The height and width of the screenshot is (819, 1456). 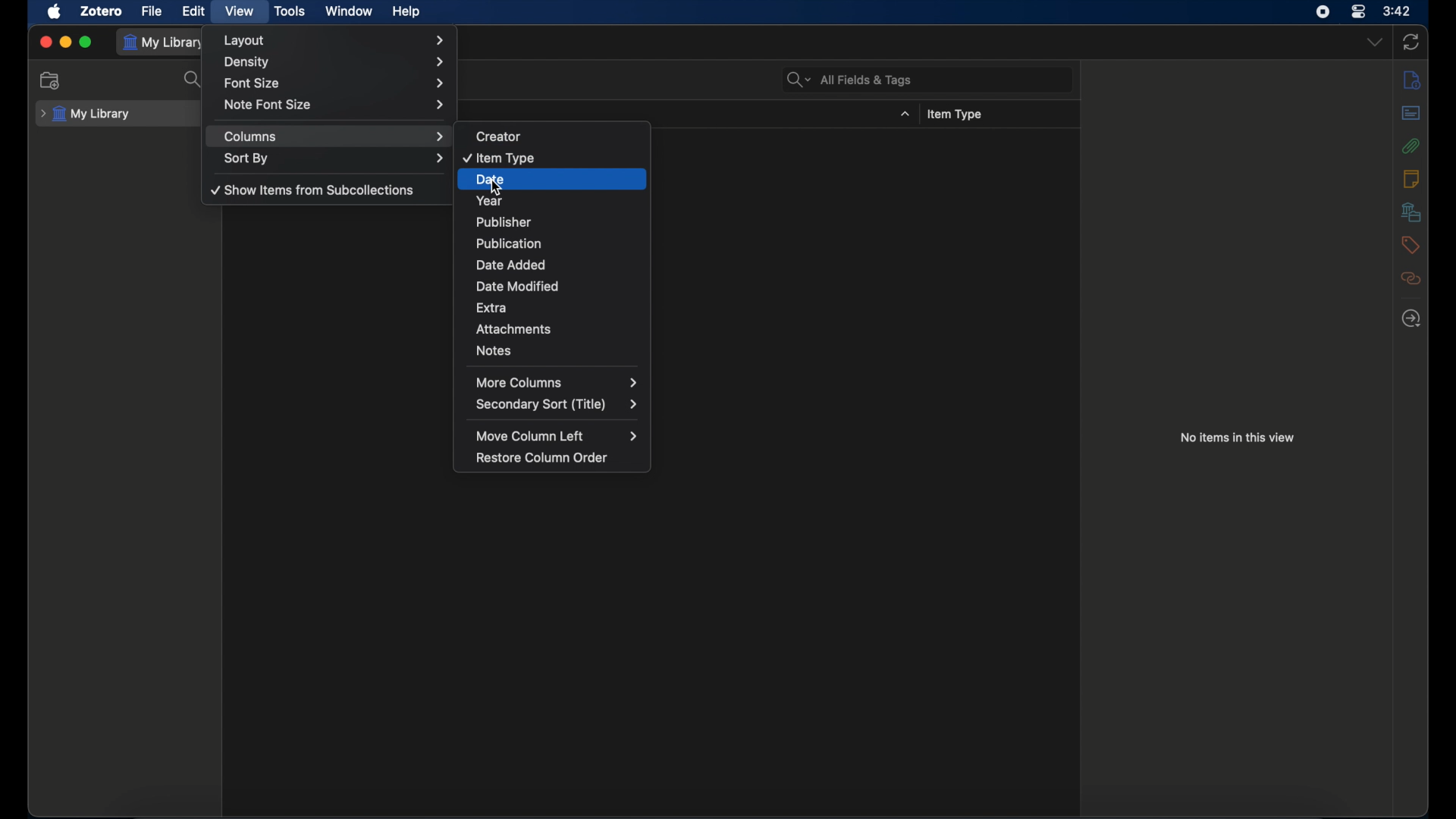 What do you see at coordinates (557, 437) in the screenshot?
I see `move column left` at bounding box center [557, 437].